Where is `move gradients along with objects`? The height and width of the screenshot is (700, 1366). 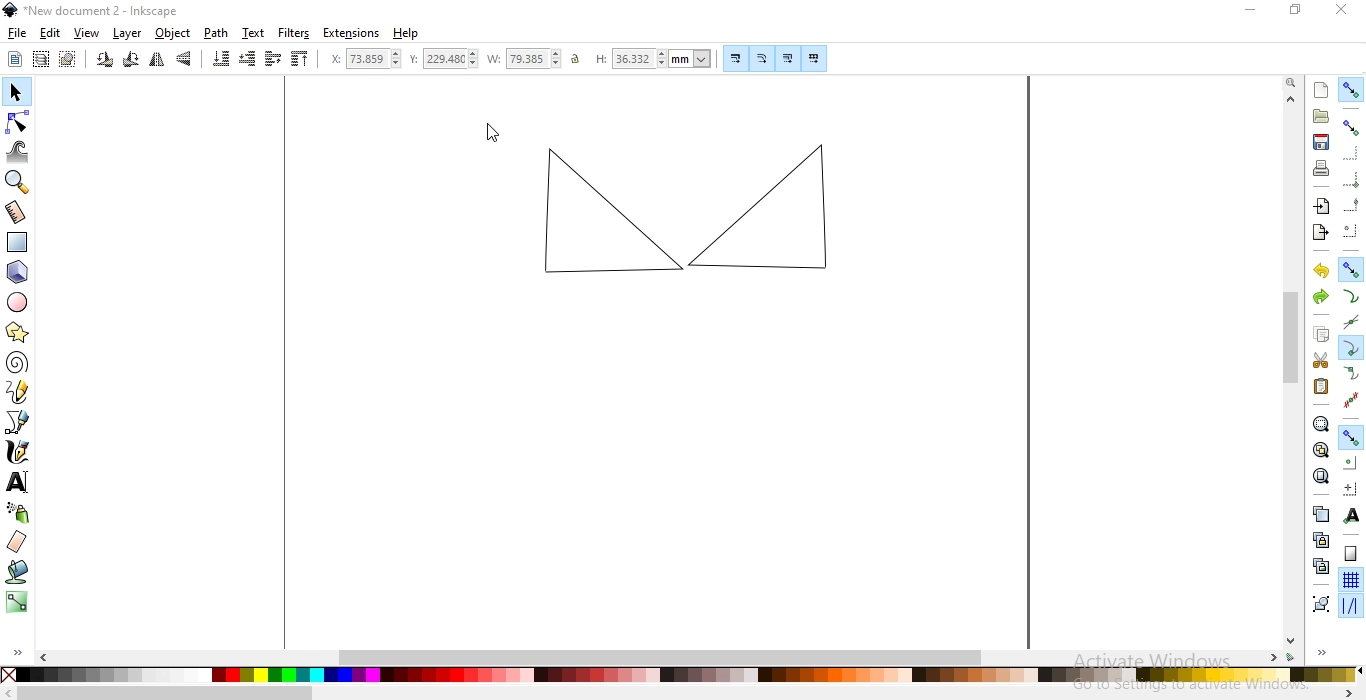 move gradients along with objects is located at coordinates (785, 58).